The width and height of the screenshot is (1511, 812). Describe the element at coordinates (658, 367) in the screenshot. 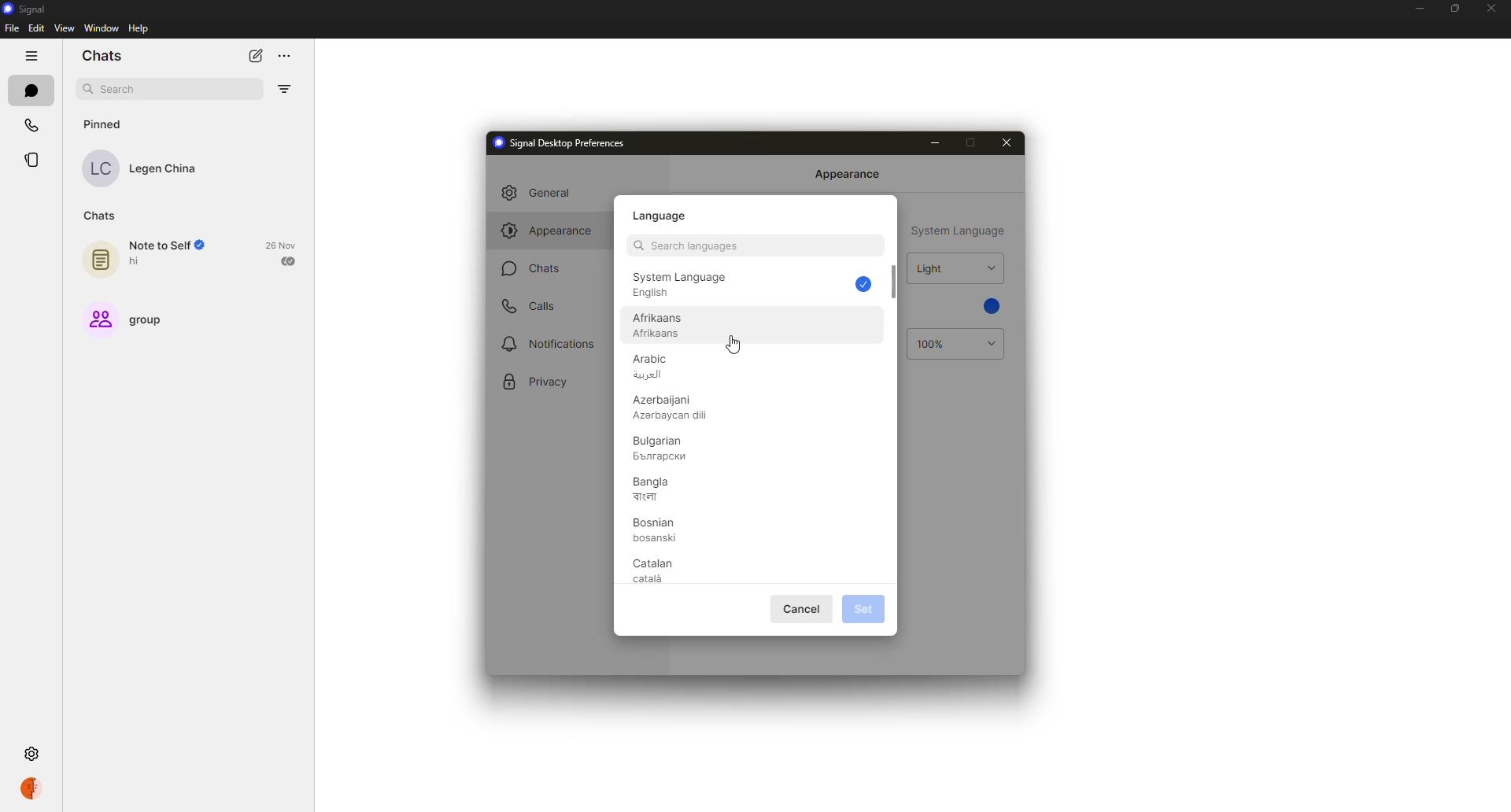

I see `arabic` at that location.